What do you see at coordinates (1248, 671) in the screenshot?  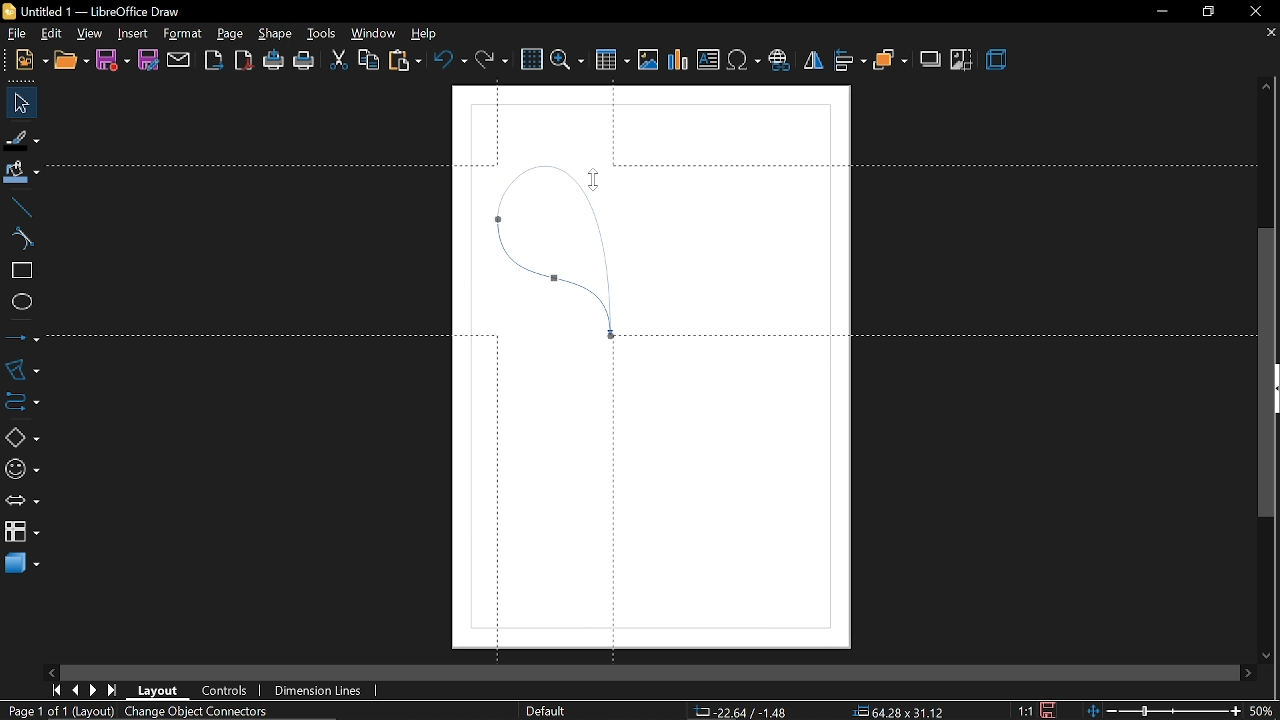 I see `move right` at bounding box center [1248, 671].